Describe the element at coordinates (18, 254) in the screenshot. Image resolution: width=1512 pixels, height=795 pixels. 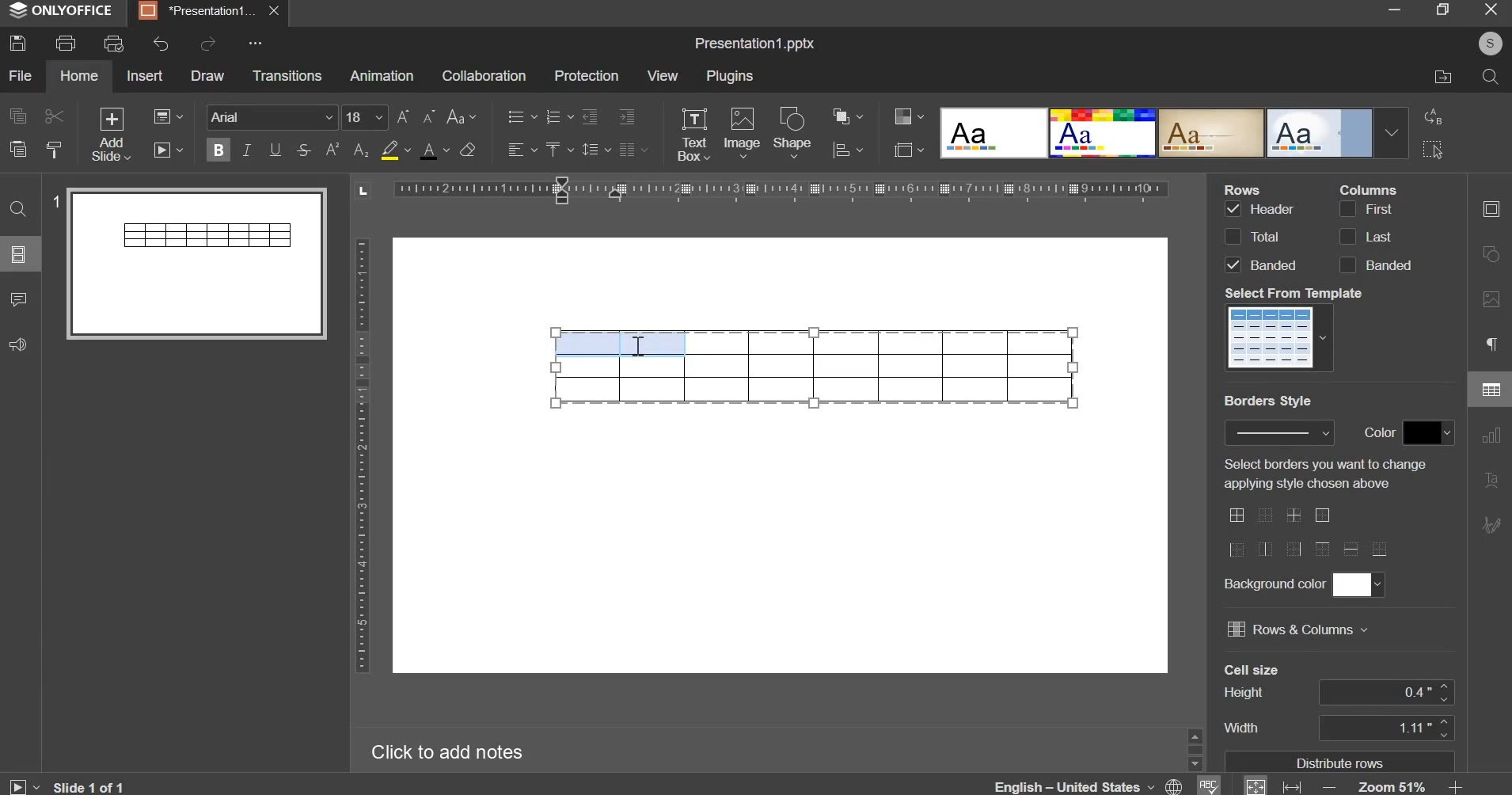
I see `slide menu` at that location.